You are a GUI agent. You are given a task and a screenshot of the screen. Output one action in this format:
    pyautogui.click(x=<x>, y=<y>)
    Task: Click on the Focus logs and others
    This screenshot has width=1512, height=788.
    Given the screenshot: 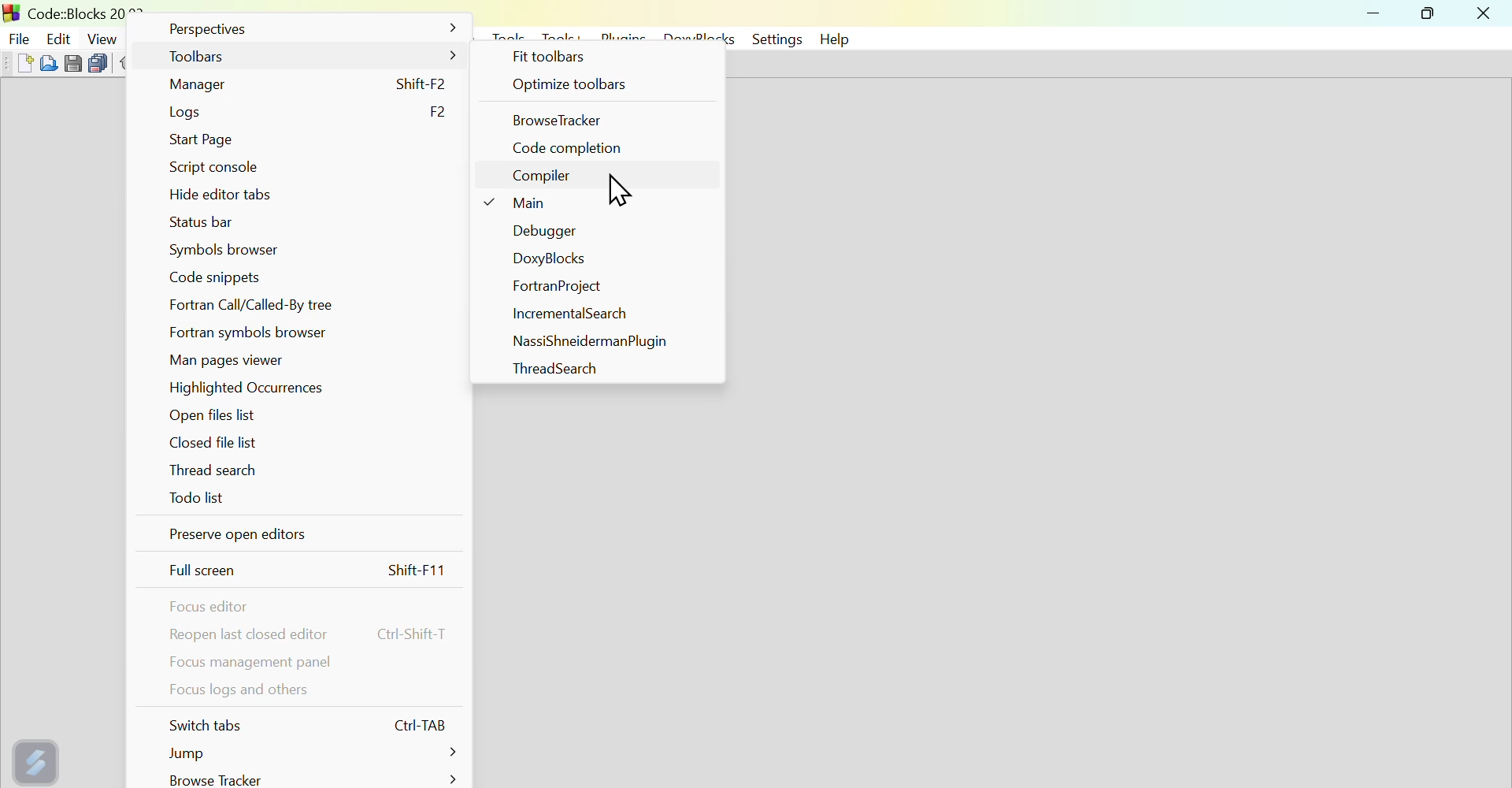 What is the action you would take?
    pyautogui.click(x=235, y=694)
    